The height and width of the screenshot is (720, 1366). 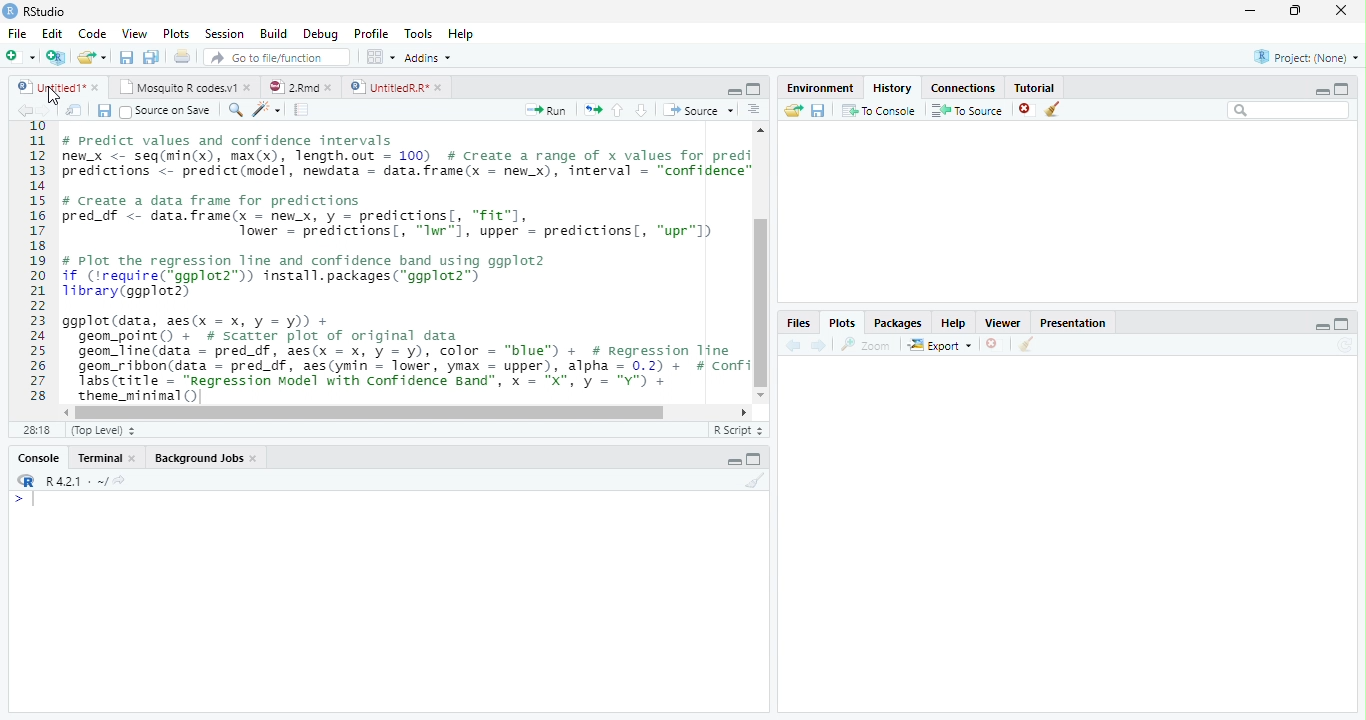 I want to click on Zoom, so click(x=235, y=112).